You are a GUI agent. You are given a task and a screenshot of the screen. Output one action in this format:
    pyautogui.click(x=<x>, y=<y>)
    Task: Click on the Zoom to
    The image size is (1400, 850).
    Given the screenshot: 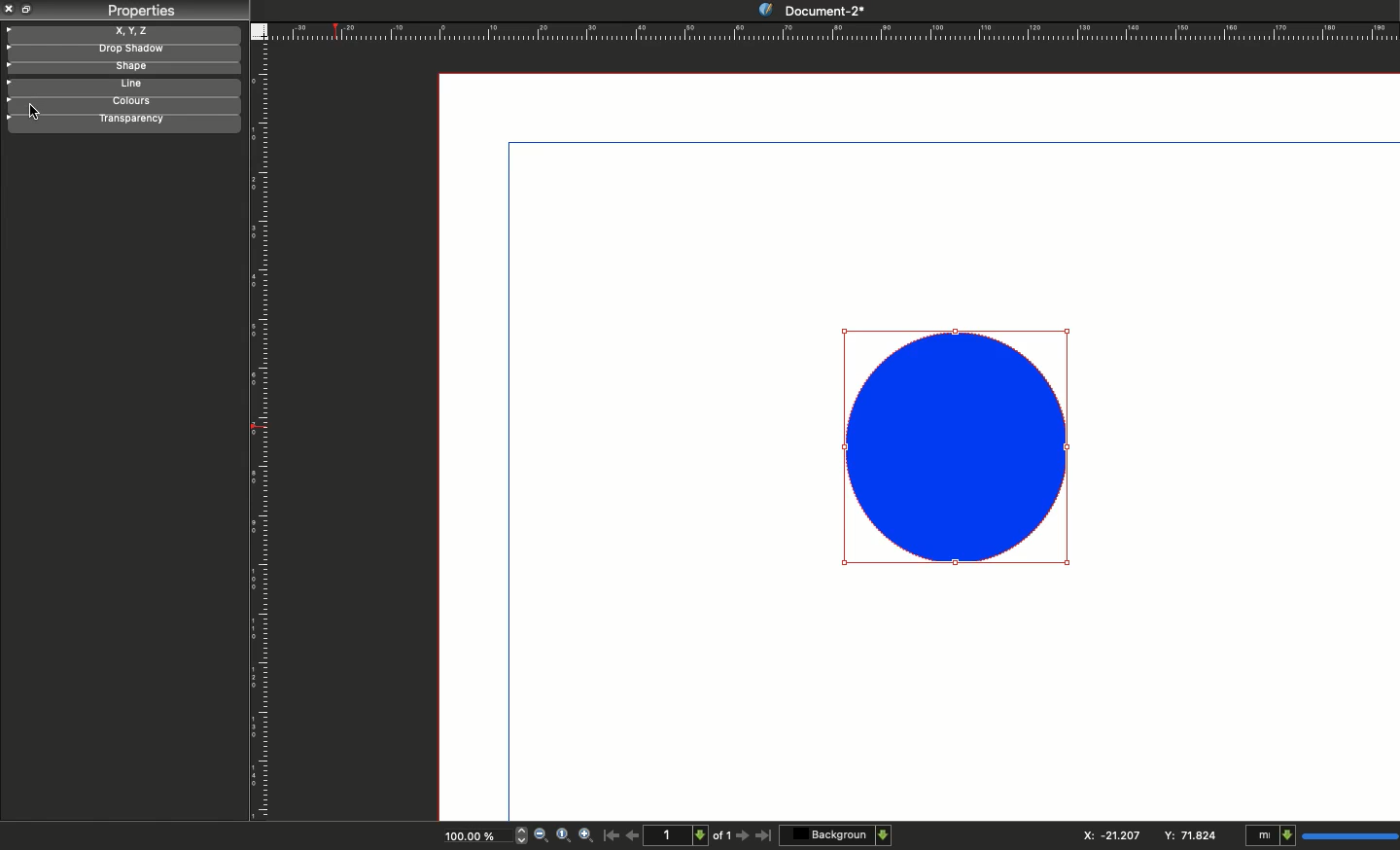 What is the action you would take?
    pyautogui.click(x=563, y=834)
    